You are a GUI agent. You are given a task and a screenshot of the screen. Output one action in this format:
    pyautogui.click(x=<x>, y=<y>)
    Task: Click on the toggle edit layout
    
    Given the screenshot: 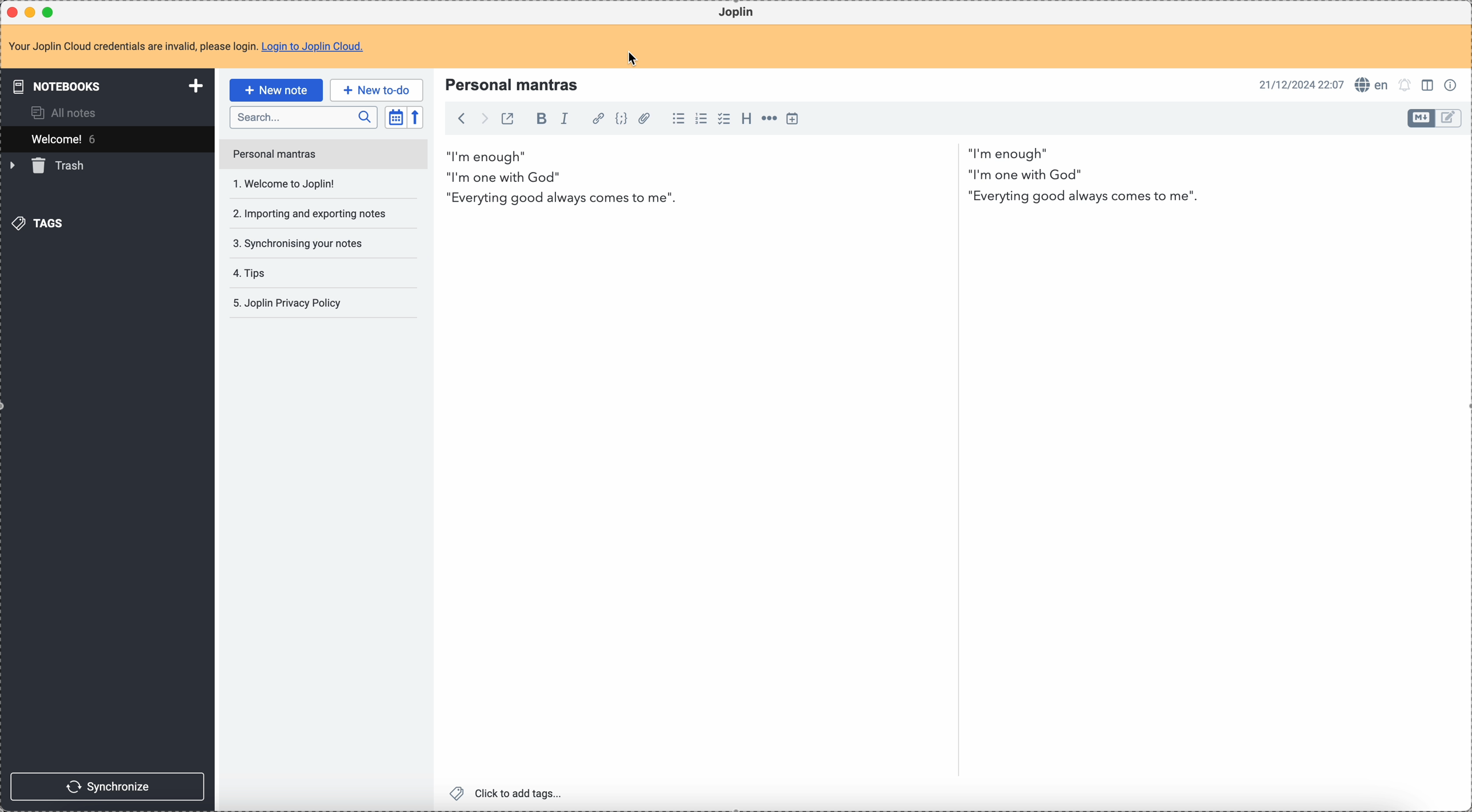 What is the action you would take?
    pyautogui.click(x=1429, y=85)
    